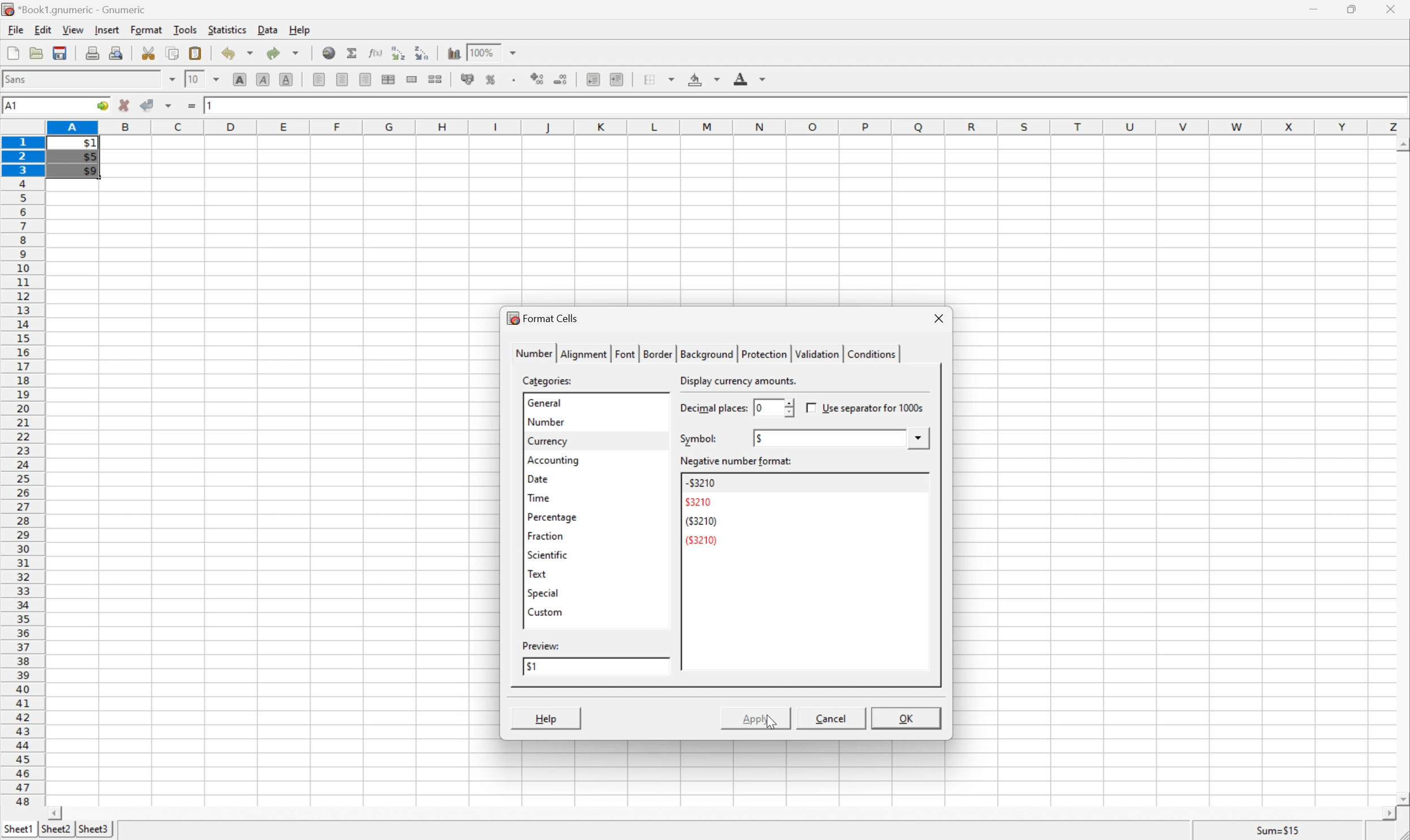  What do you see at coordinates (704, 78) in the screenshot?
I see `background` at bounding box center [704, 78].